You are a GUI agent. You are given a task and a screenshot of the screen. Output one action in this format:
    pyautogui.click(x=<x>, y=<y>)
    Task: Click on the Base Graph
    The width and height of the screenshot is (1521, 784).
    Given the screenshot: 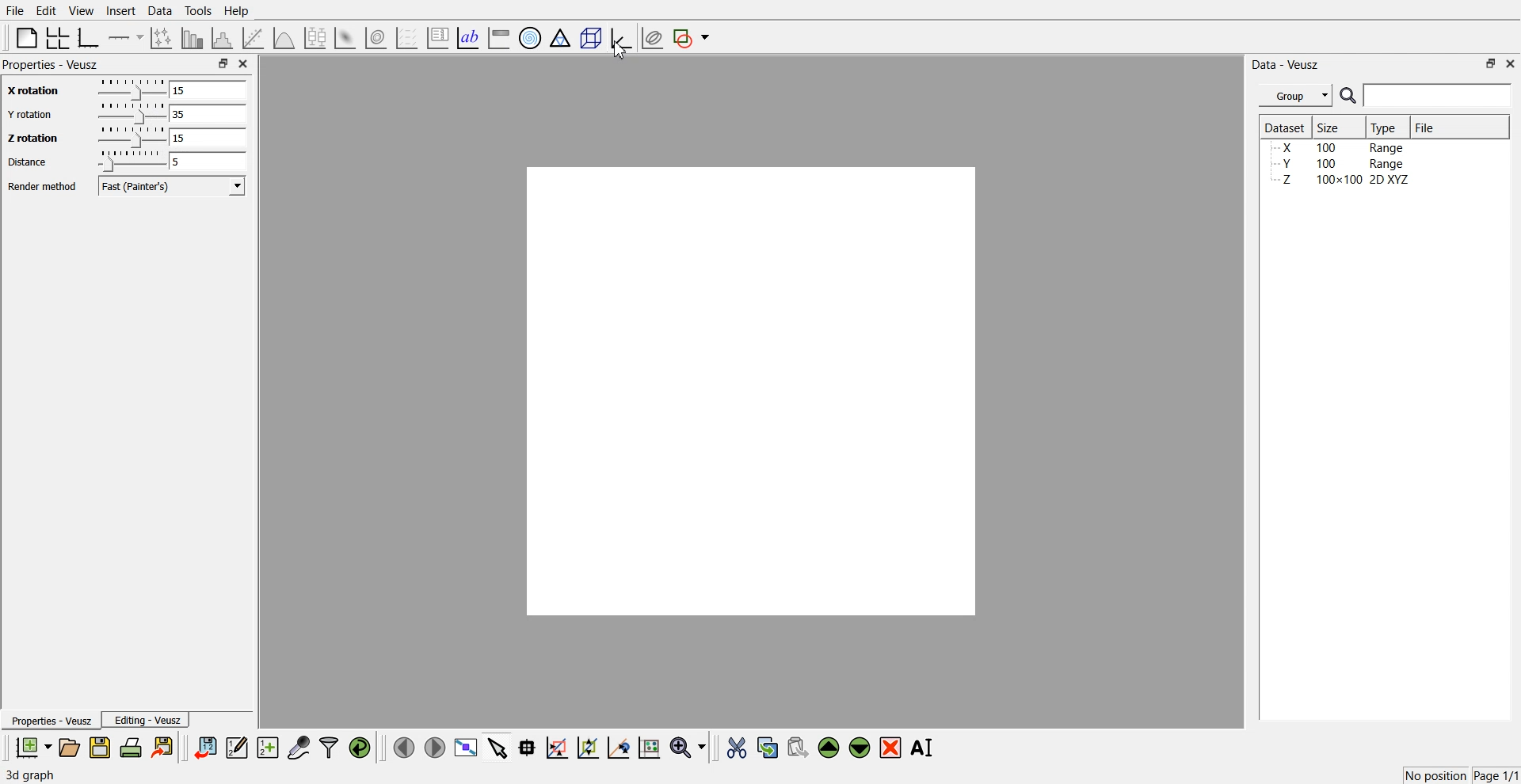 What is the action you would take?
    pyautogui.click(x=89, y=38)
    